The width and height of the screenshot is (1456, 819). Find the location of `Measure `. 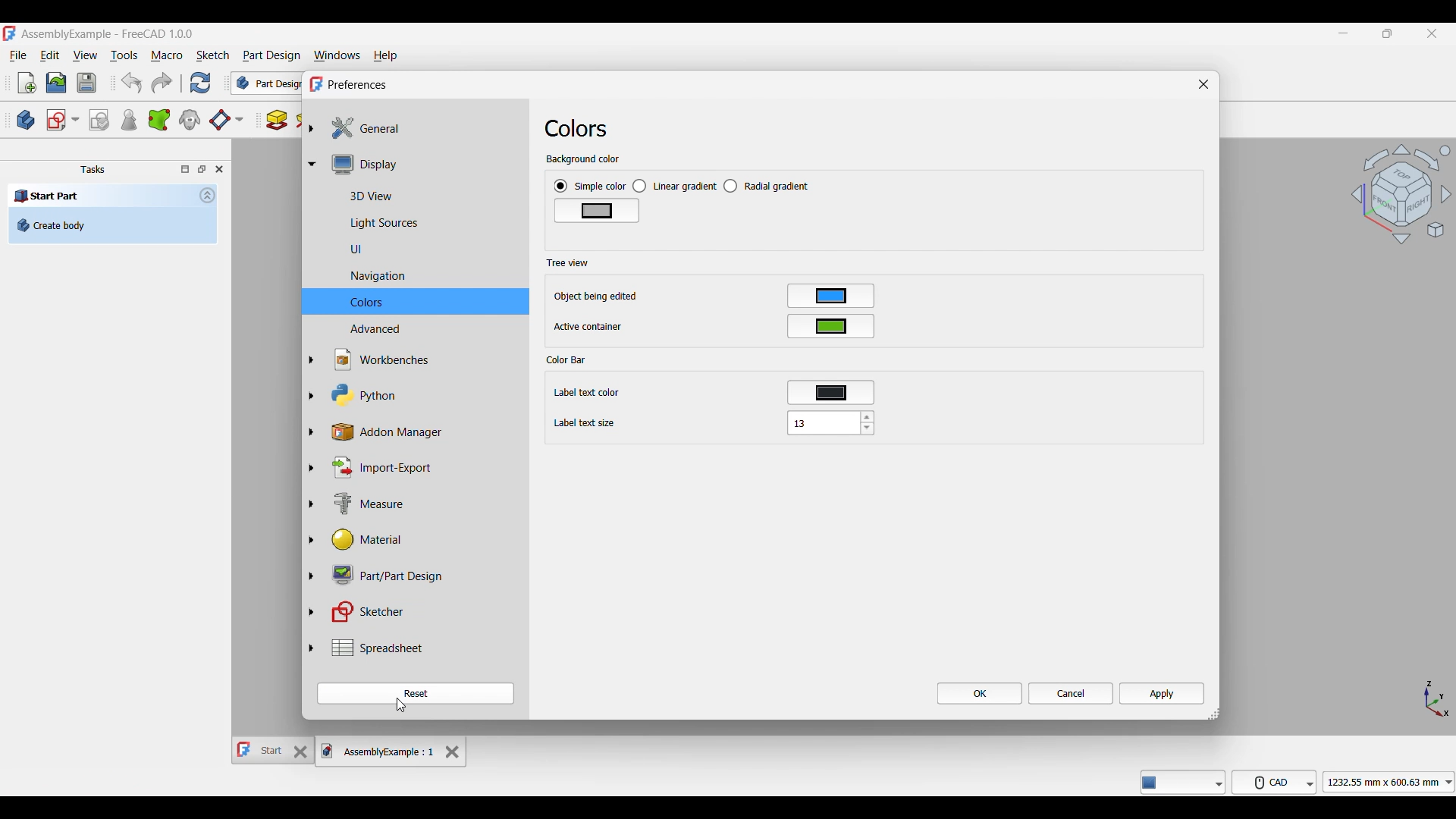

Measure  is located at coordinates (356, 503).